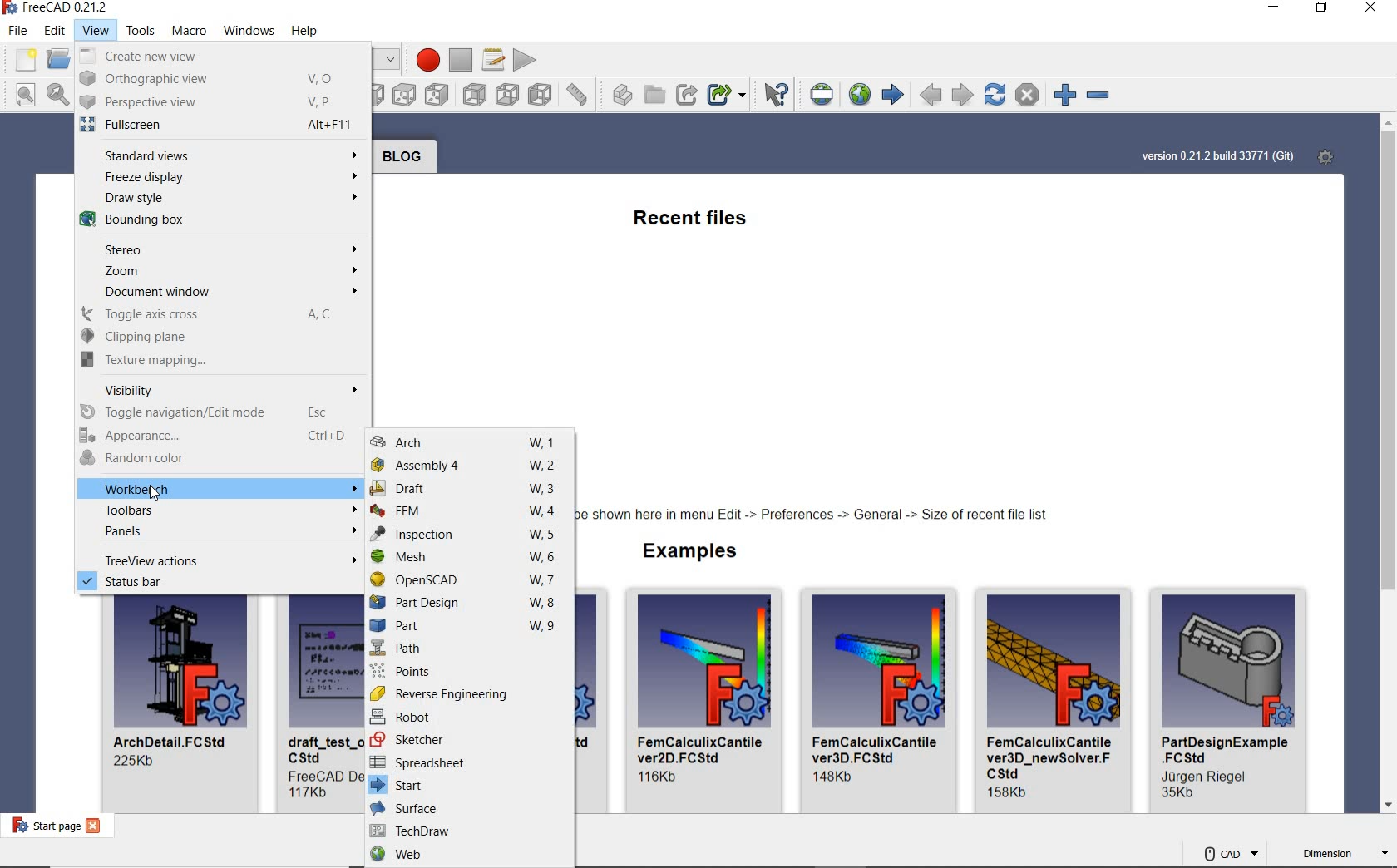  Describe the element at coordinates (493, 60) in the screenshot. I see `macros` at that location.